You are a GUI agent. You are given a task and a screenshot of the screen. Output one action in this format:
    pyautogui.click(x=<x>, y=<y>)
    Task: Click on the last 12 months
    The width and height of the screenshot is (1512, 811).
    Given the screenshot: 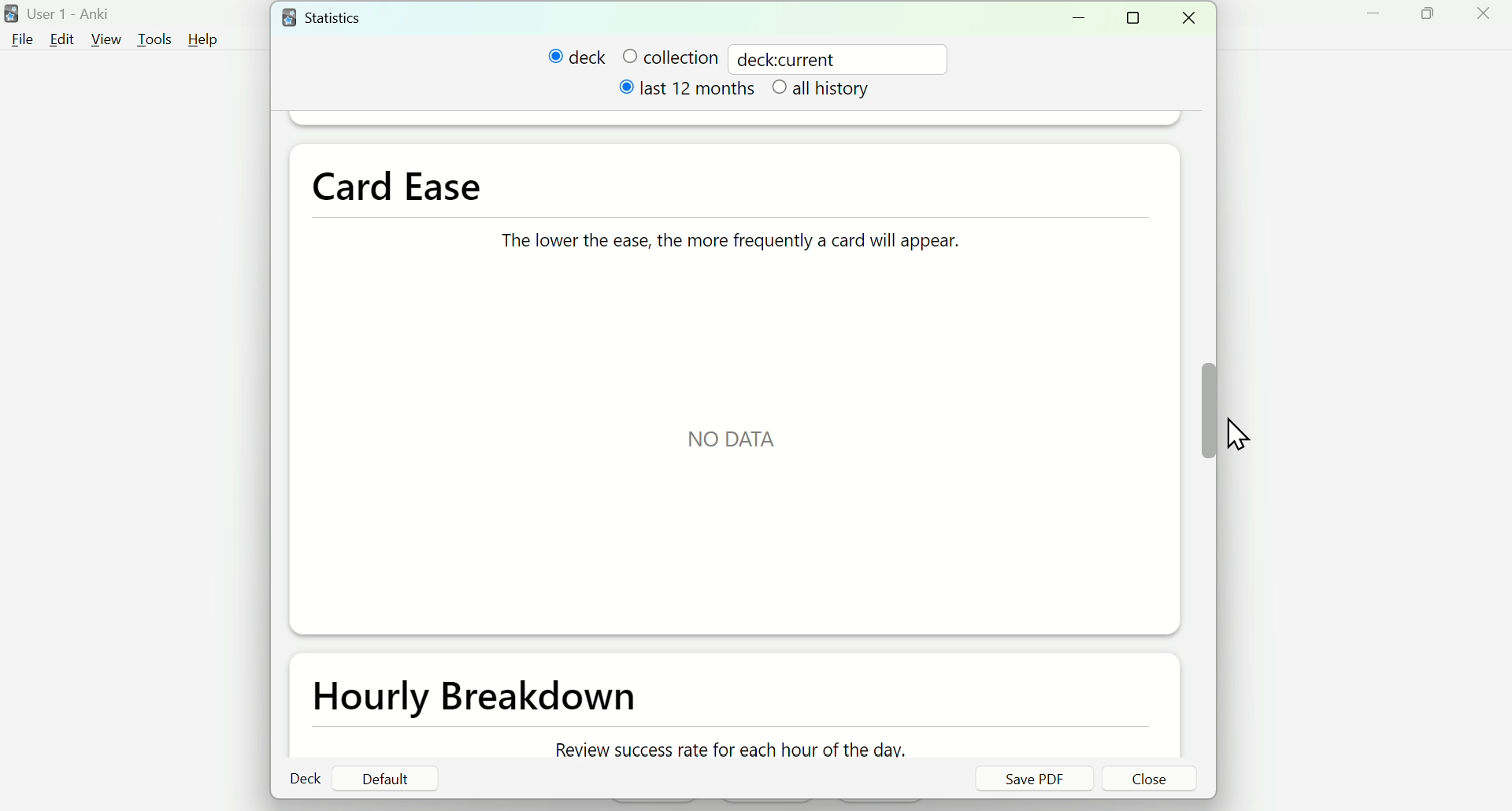 What is the action you would take?
    pyautogui.click(x=689, y=93)
    